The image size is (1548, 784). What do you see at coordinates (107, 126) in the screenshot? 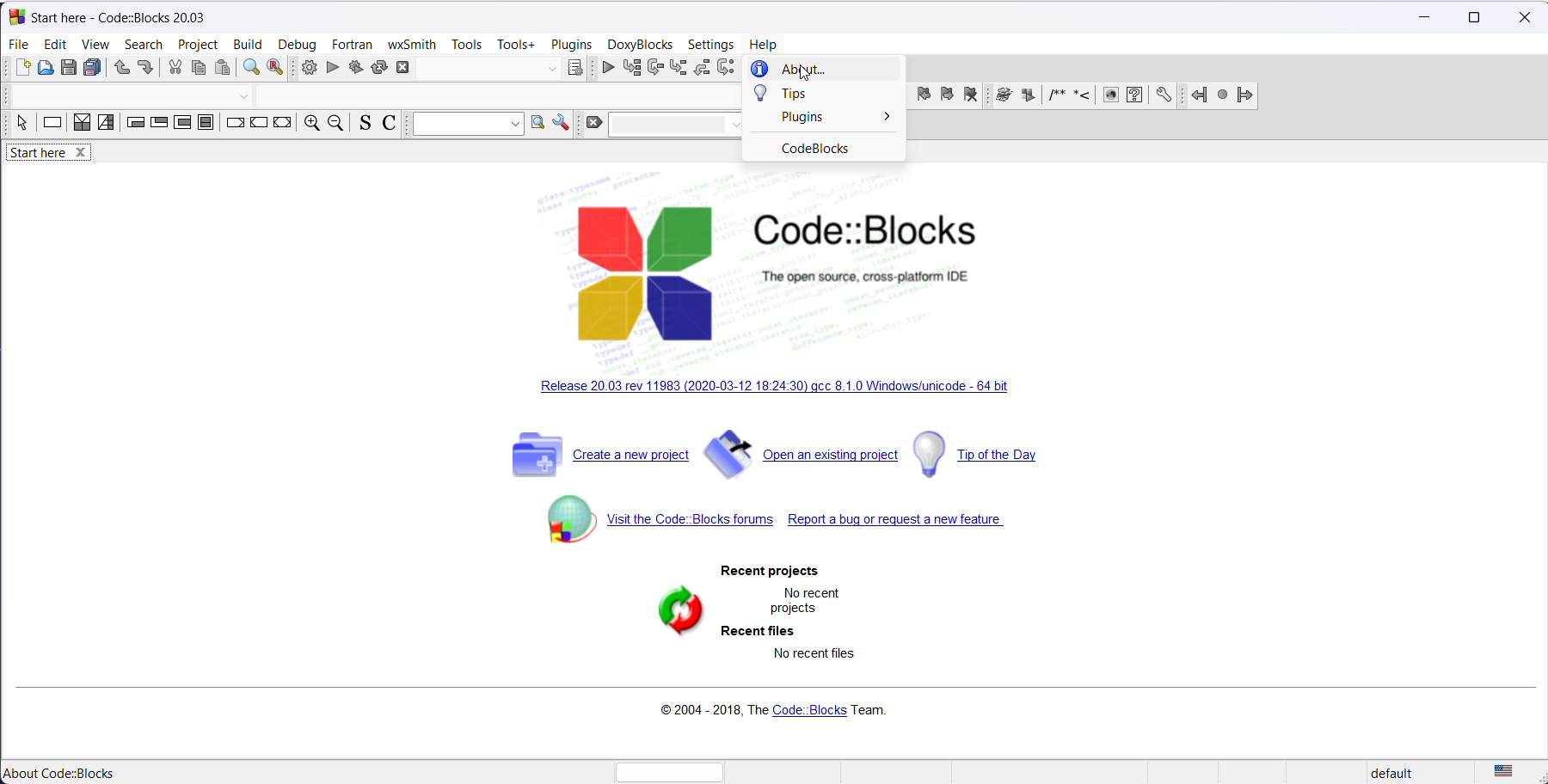
I see `selection` at bounding box center [107, 126].